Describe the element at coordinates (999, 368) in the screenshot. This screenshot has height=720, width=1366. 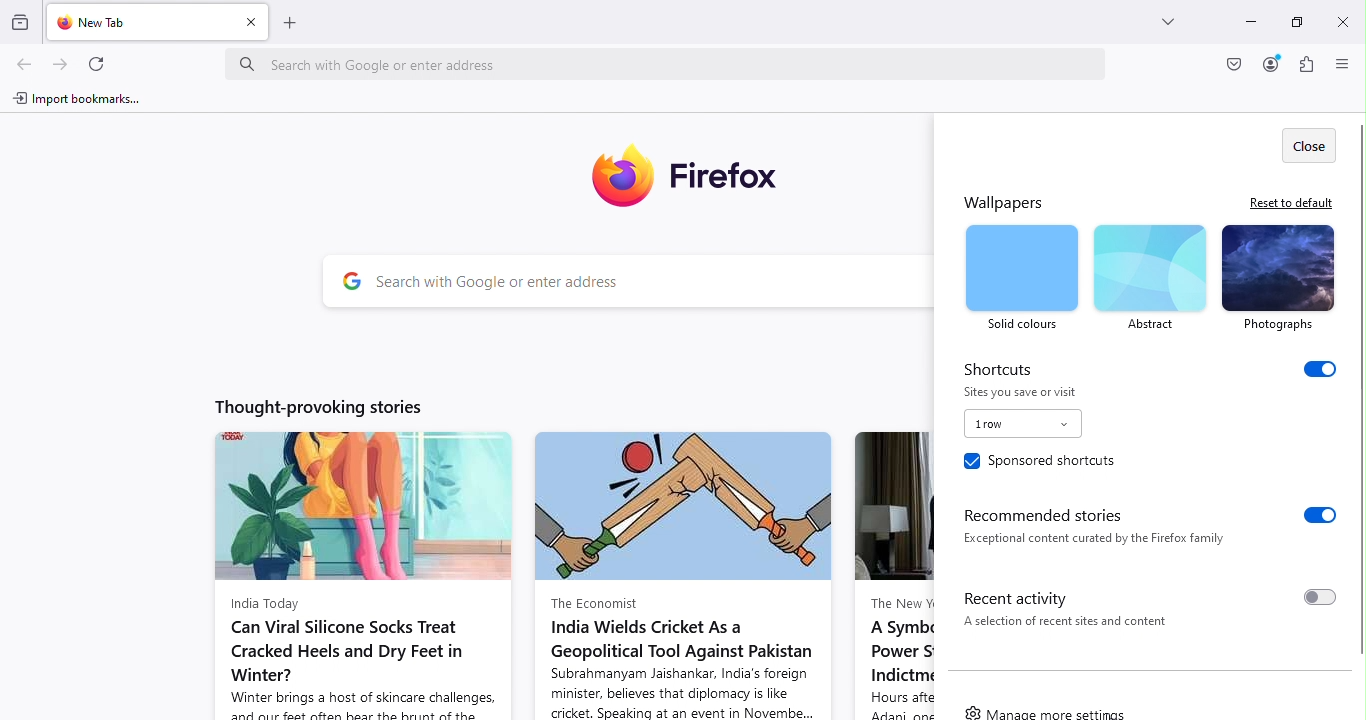
I see `Shortcuts` at that location.